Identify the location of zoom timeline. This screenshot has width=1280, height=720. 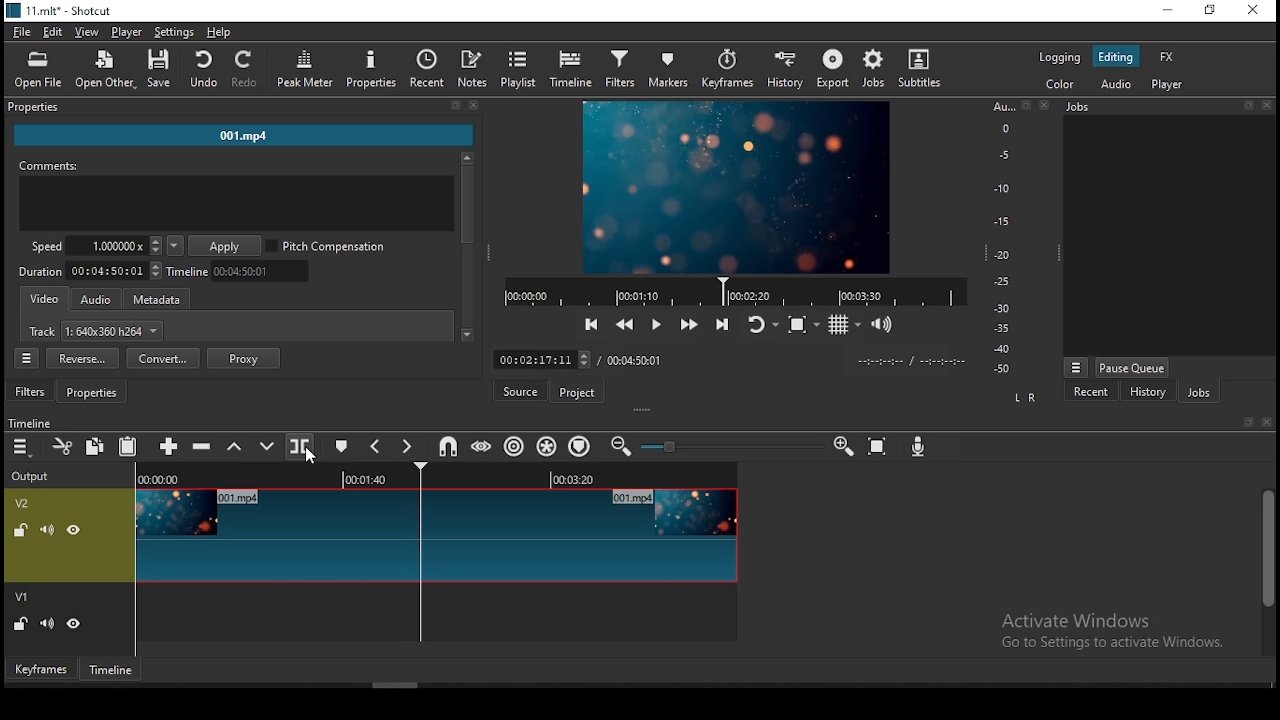
(845, 444).